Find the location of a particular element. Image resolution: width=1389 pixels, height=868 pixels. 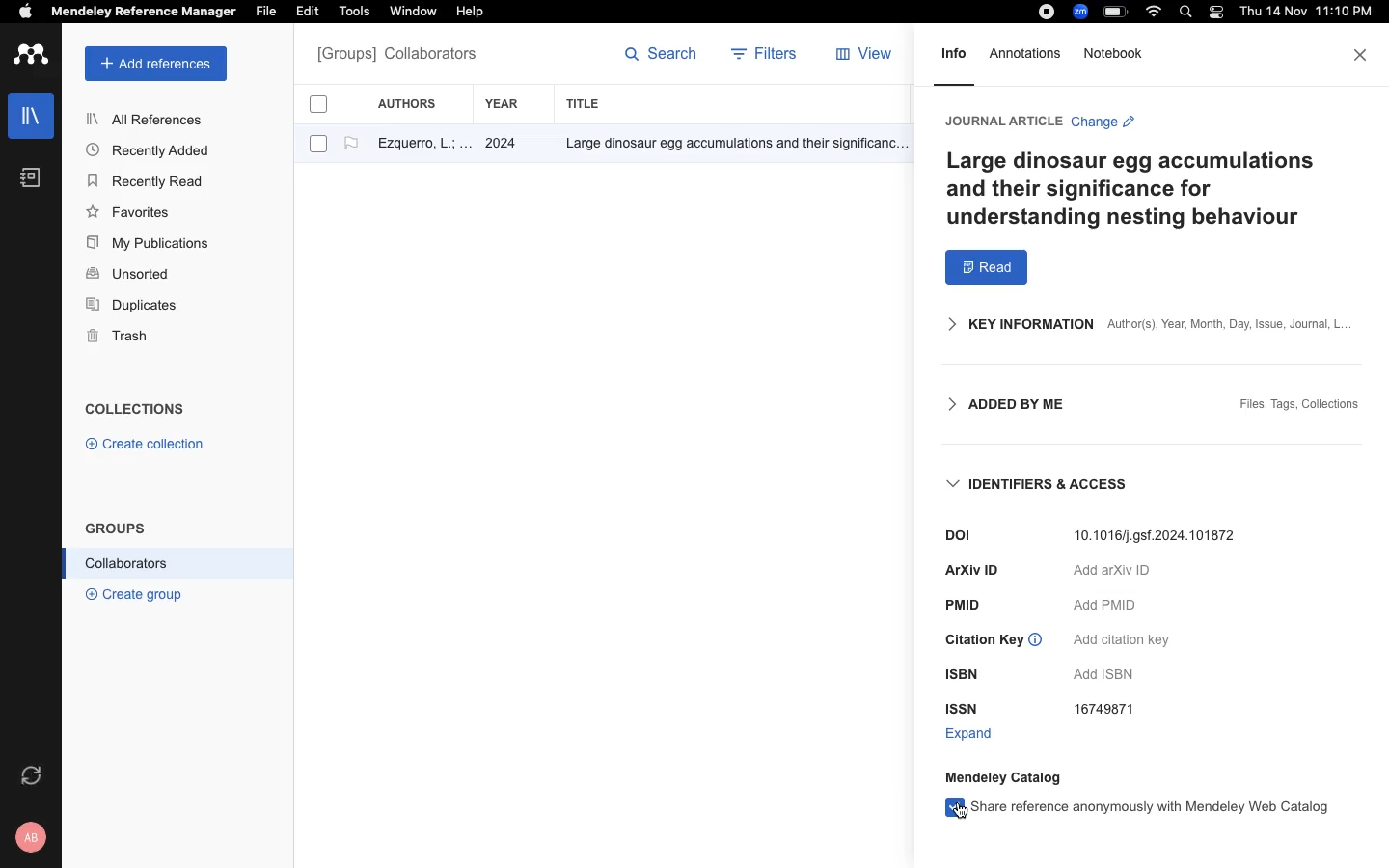

ArXiv ID is located at coordinates (972, 570).